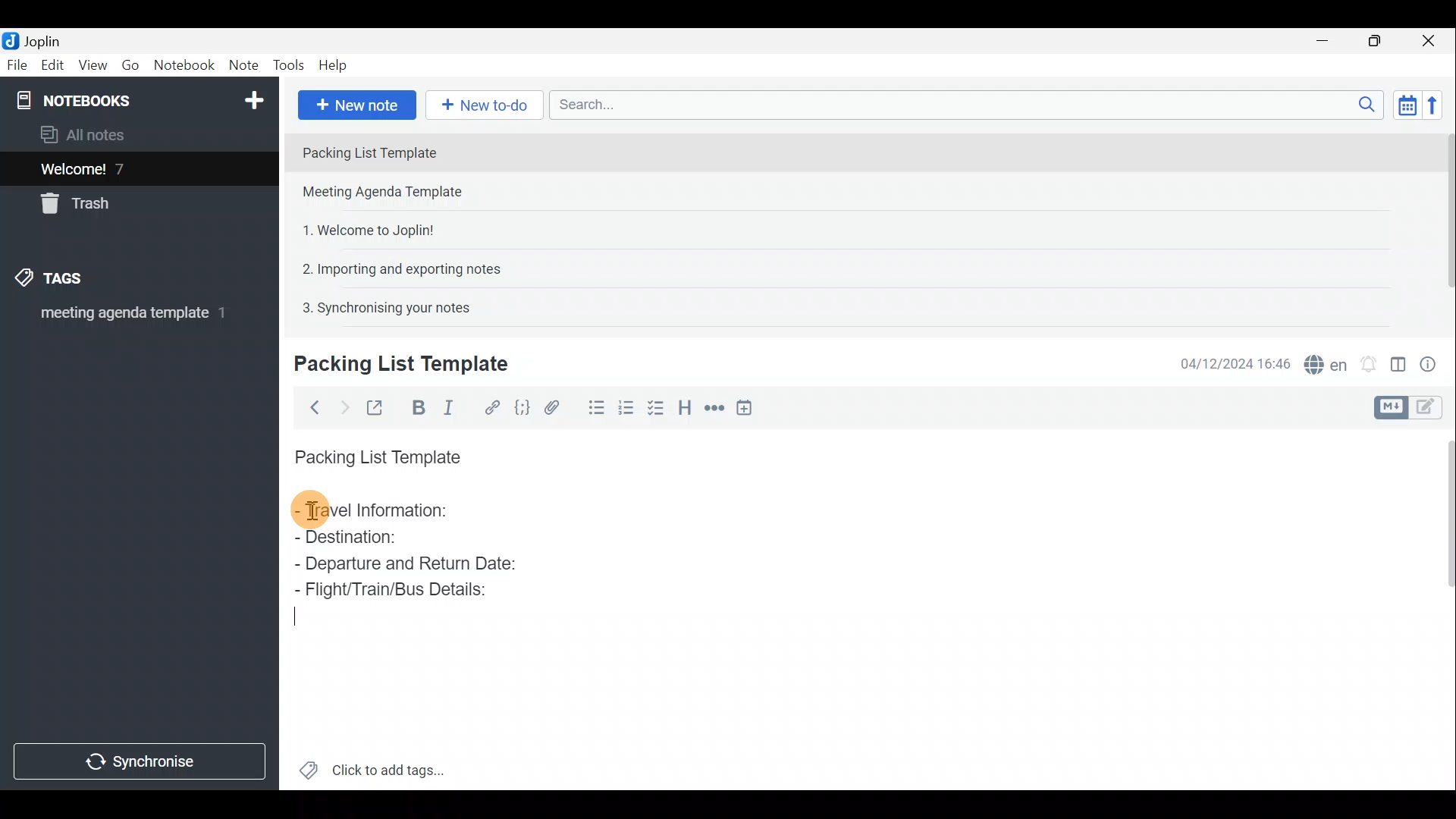 The image size is (1456, 819). Describe the element at coordinates (362, 228) in the screenshot. I see `Note 3` at that location.